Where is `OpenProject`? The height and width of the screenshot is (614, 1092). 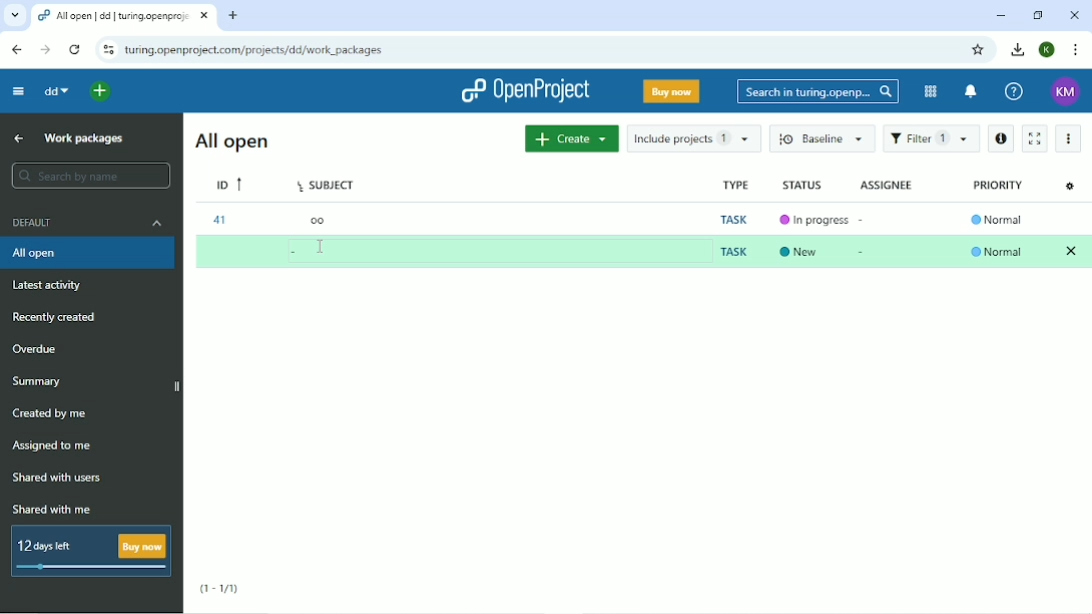 OpenProject is located at coordinates (524, 92).